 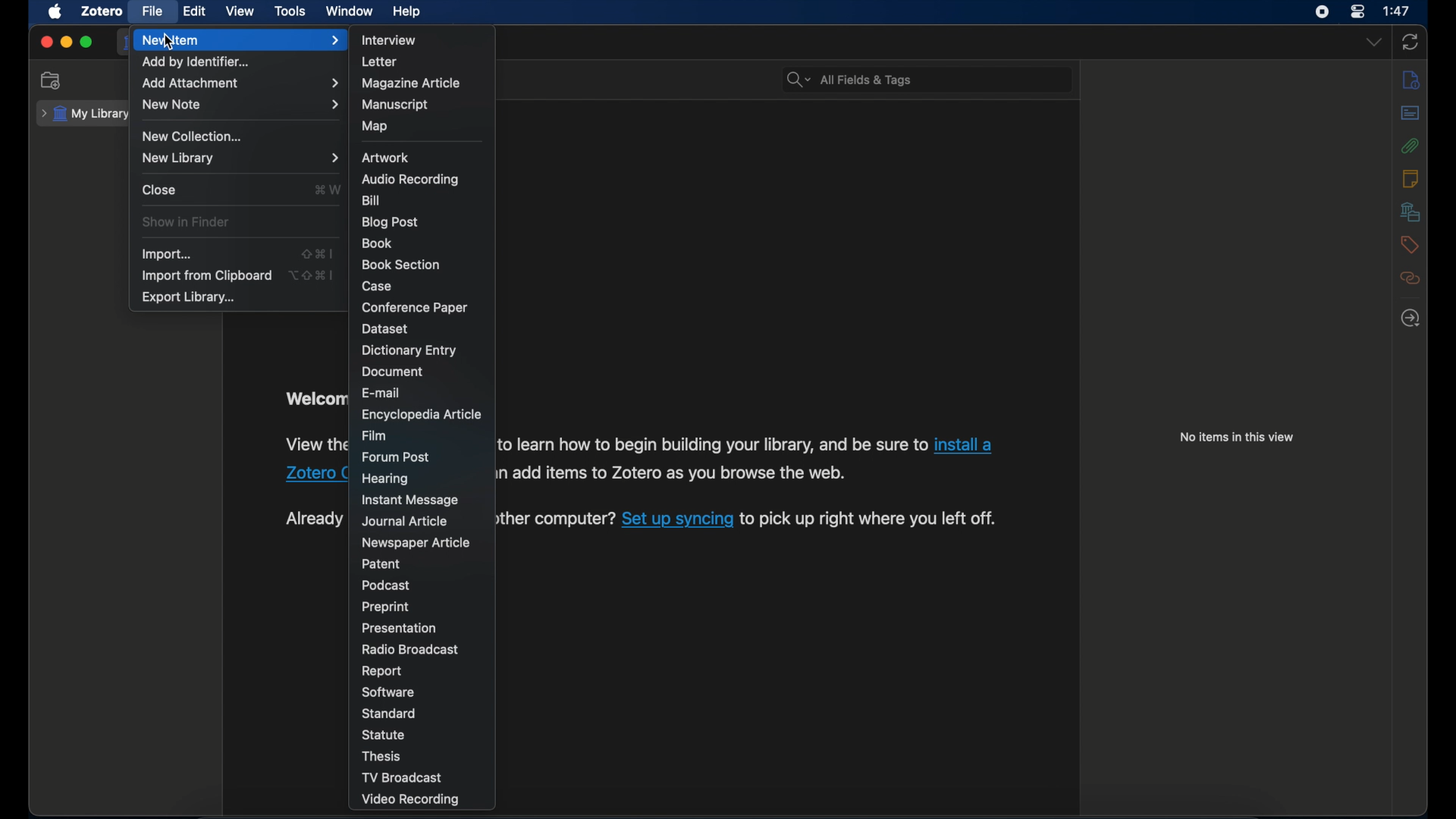 What do you see at coordinates (381, 671) in the screenshot?
I see `report` at bounding box center [381, 671].